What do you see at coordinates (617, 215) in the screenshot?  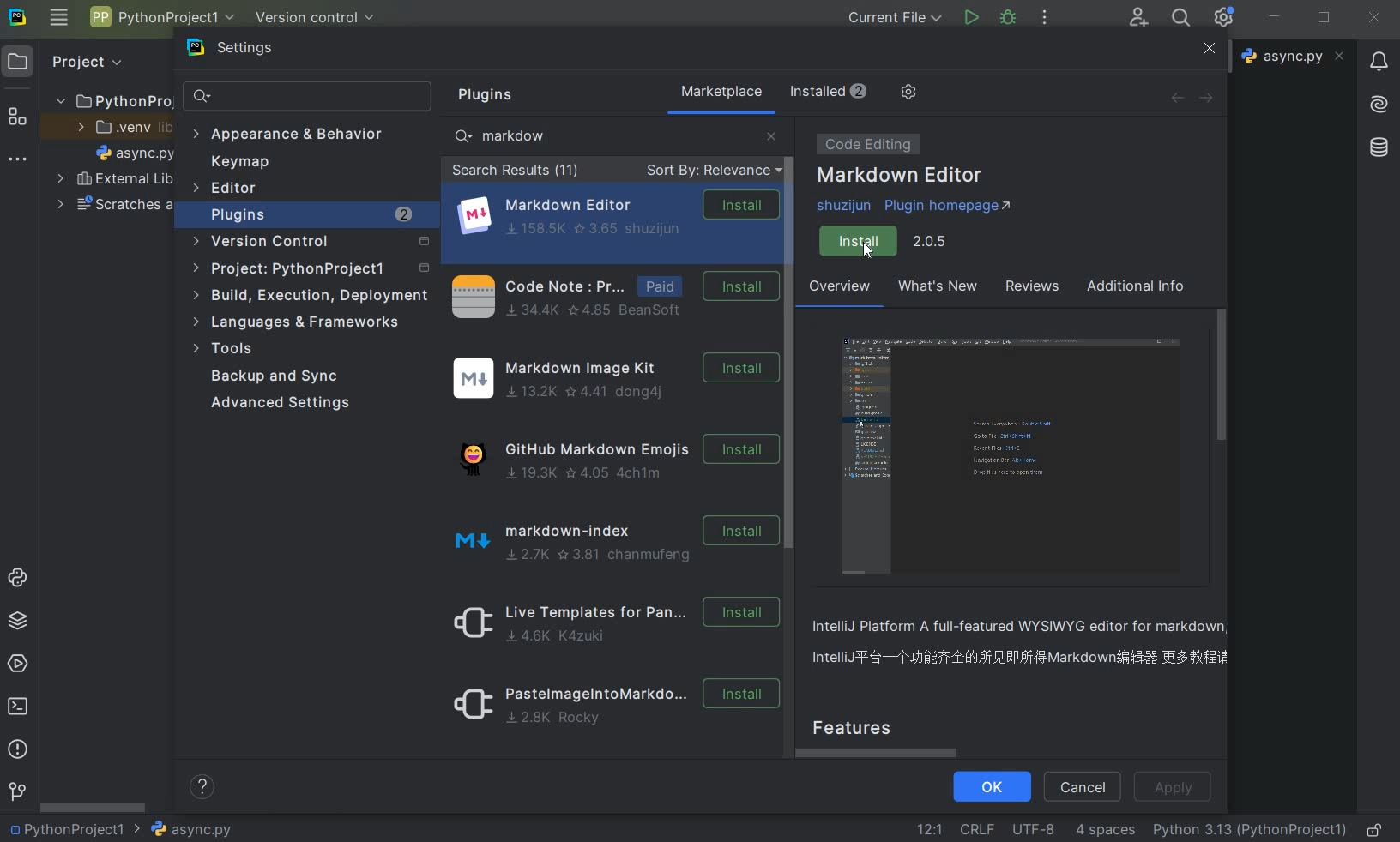 I see `markdown editor` at bounding box center [617, 215].